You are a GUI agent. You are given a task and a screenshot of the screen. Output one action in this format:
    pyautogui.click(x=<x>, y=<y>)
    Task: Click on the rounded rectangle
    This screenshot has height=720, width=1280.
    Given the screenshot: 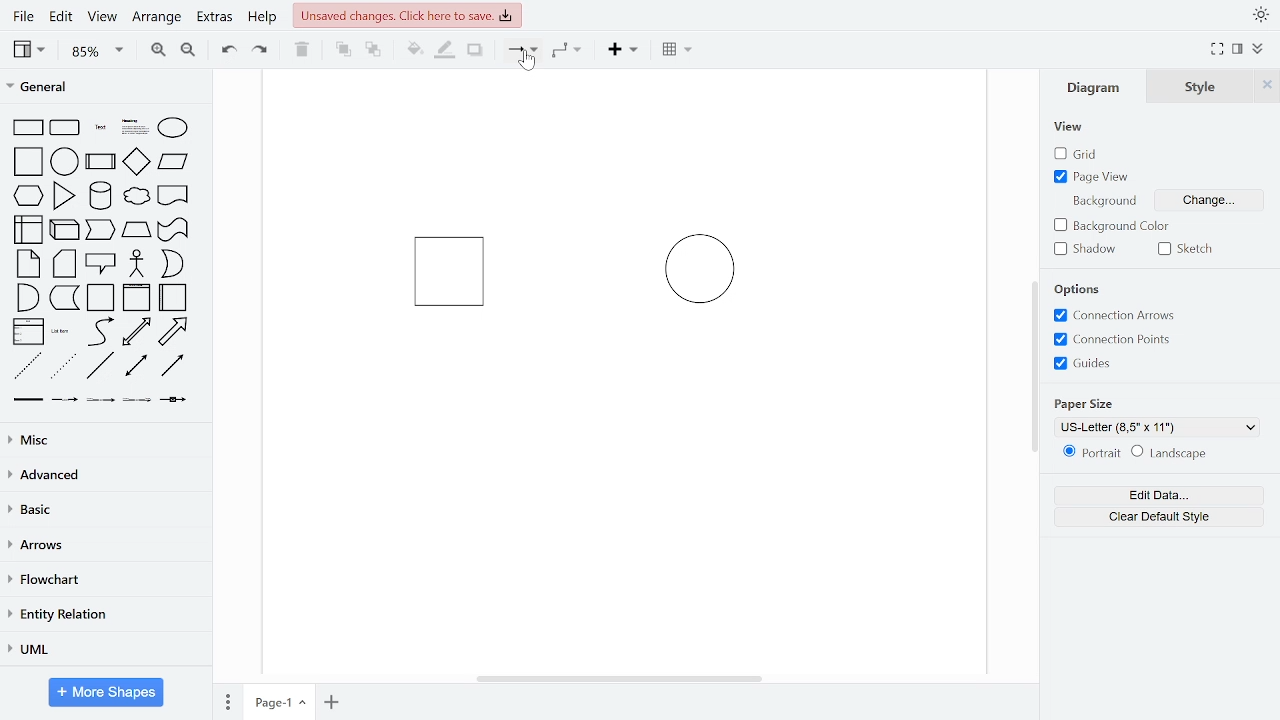 What is the action you would take?
    pyautogui.click(x=66, y=129)
    